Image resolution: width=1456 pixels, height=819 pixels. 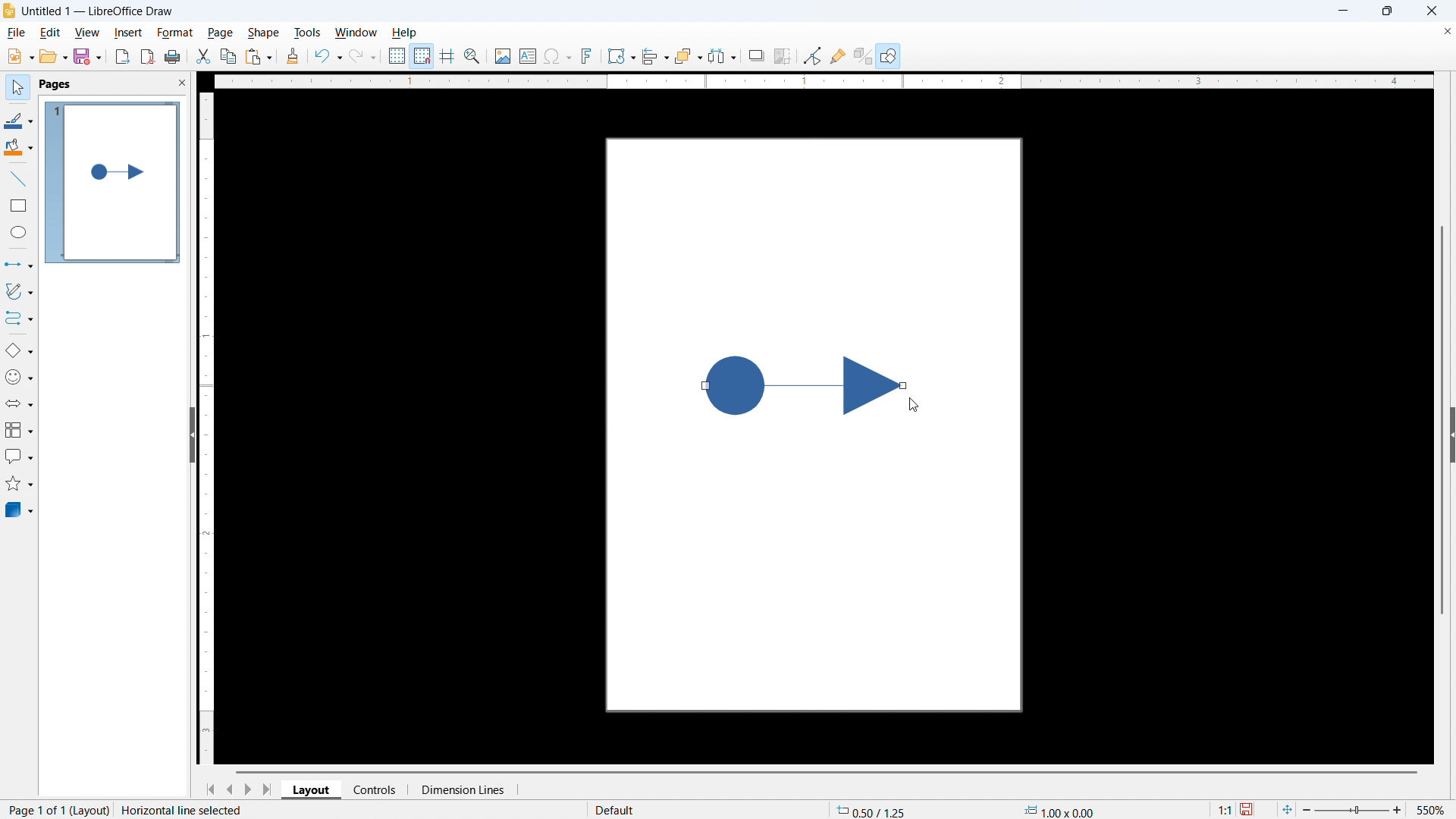 What do you see at coordinates (19, 430) in the screenshot?
I see `Flow chart ` at bounding box center [19, 430].